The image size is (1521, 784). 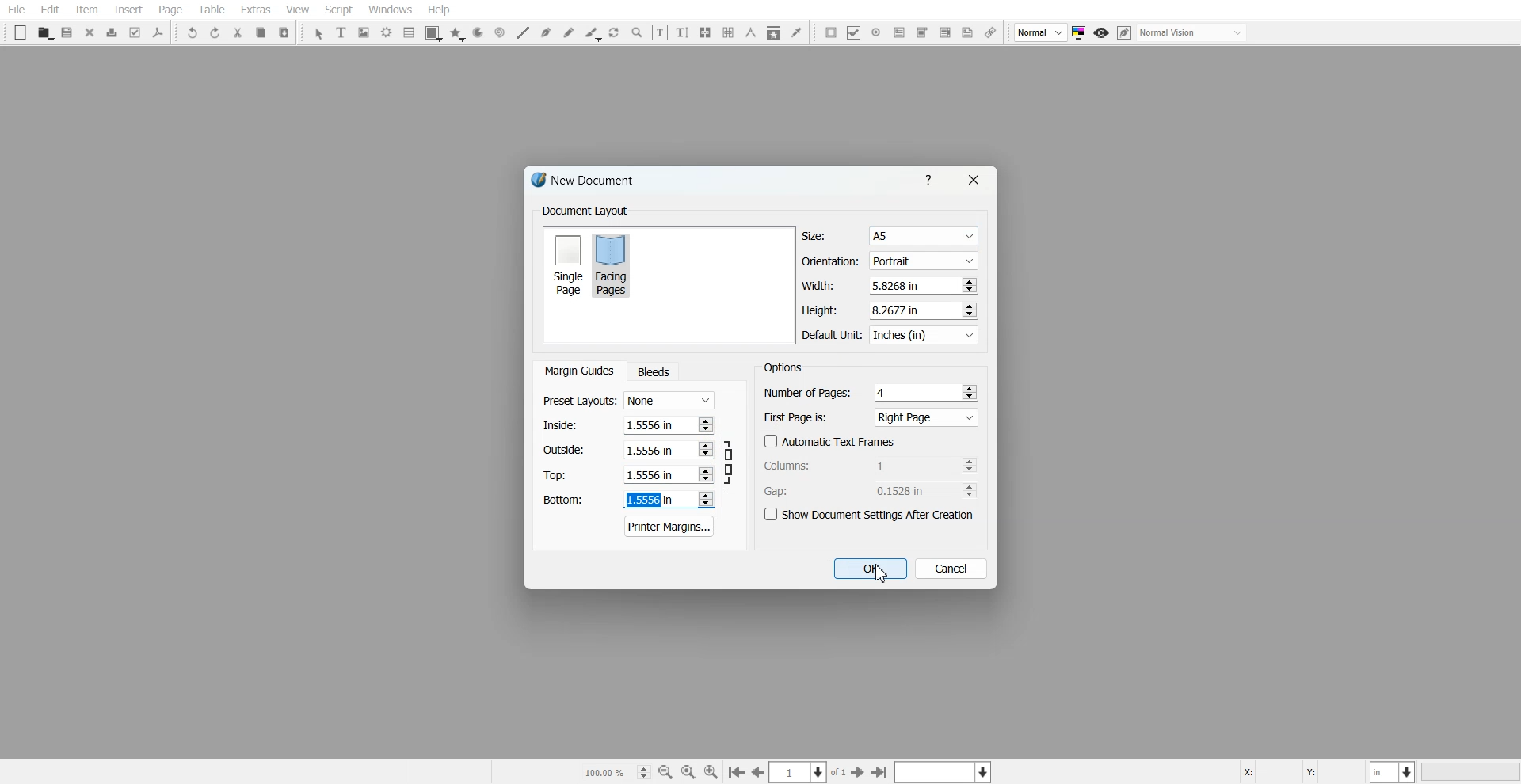 What do you see at coordinates (457, 34) in the screenshot?
I see `Polygon` at bounding box center [457, 34].